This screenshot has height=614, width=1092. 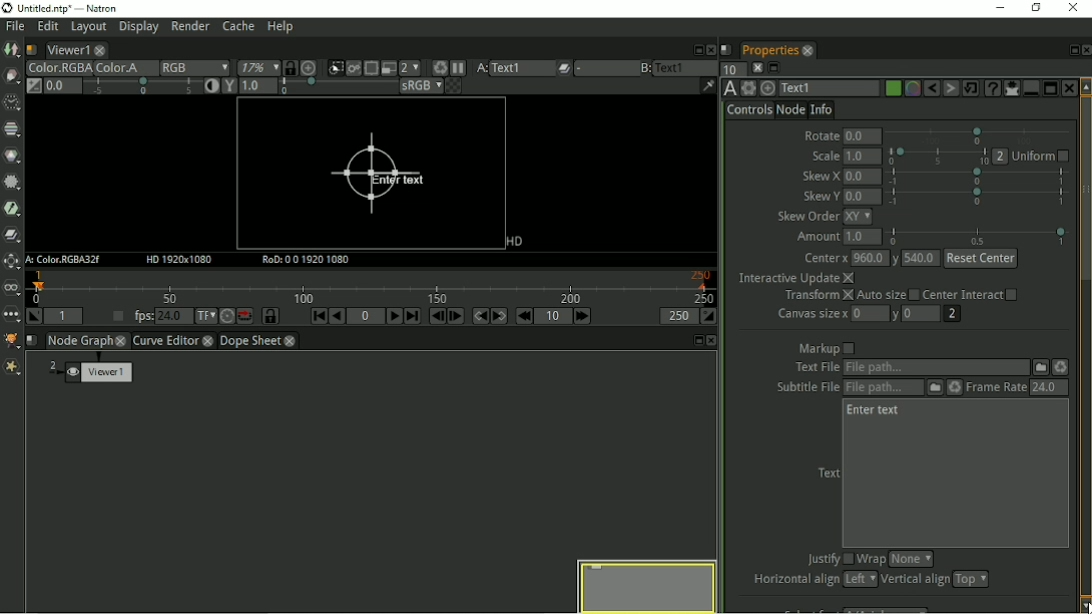 What do you see at coordinates (564, 68) in the screenshot?
I see `Operations applied between A and B` at bounding box center [564, 68].